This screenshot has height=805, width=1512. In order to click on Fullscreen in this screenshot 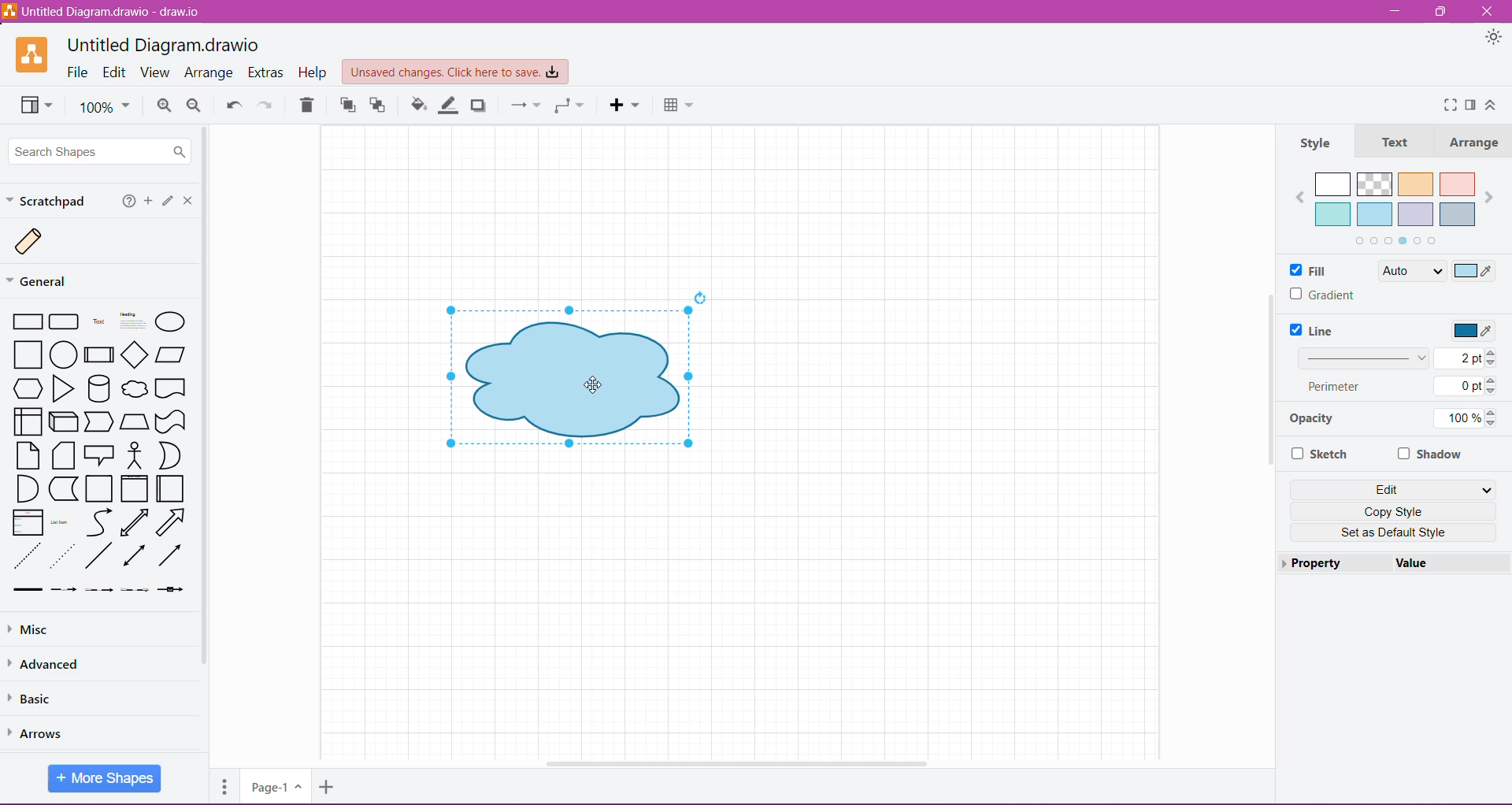, I will do `click(1447, 106)`.